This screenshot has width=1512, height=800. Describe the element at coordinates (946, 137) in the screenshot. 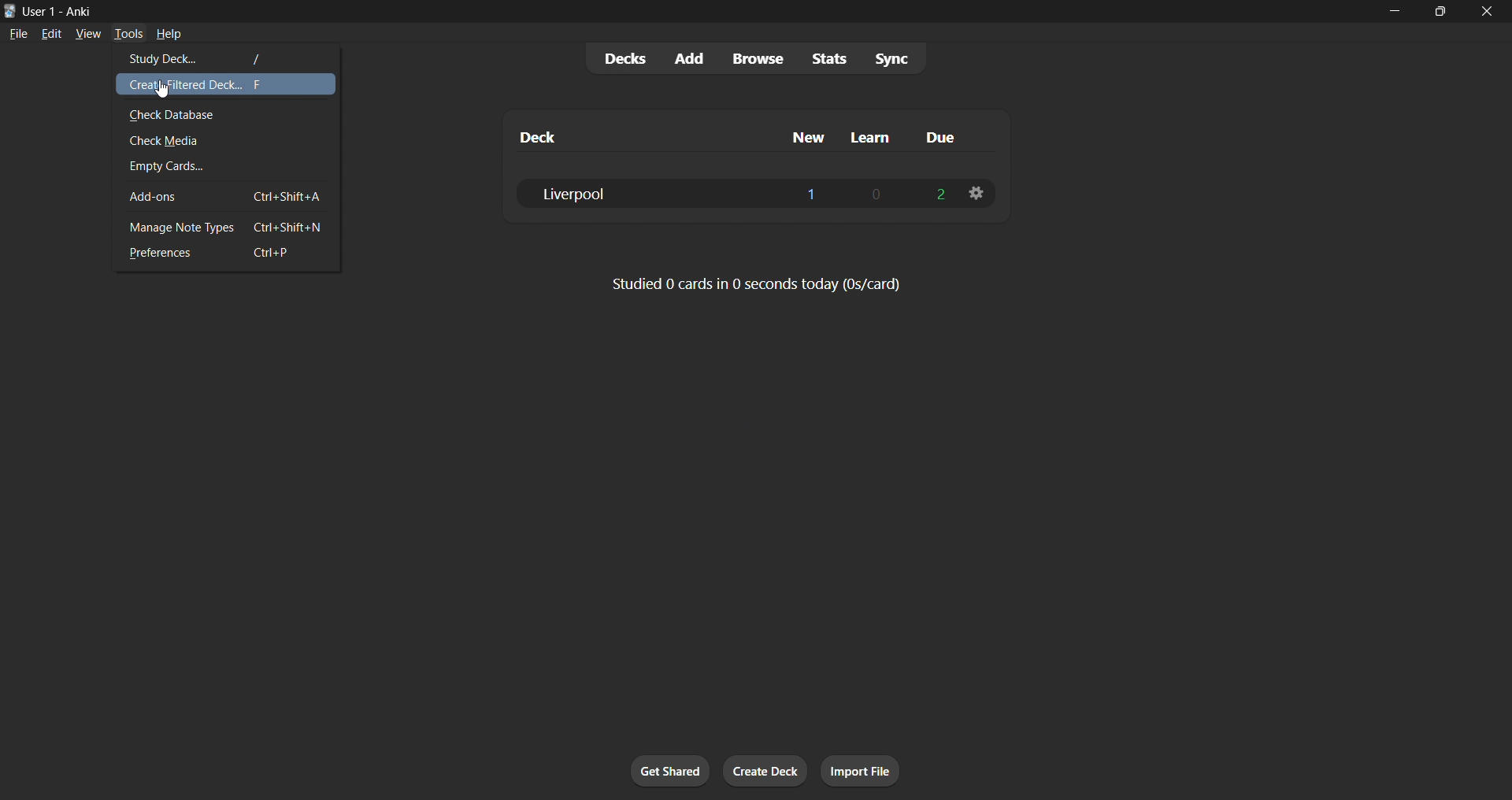

I see `due column` at that location.